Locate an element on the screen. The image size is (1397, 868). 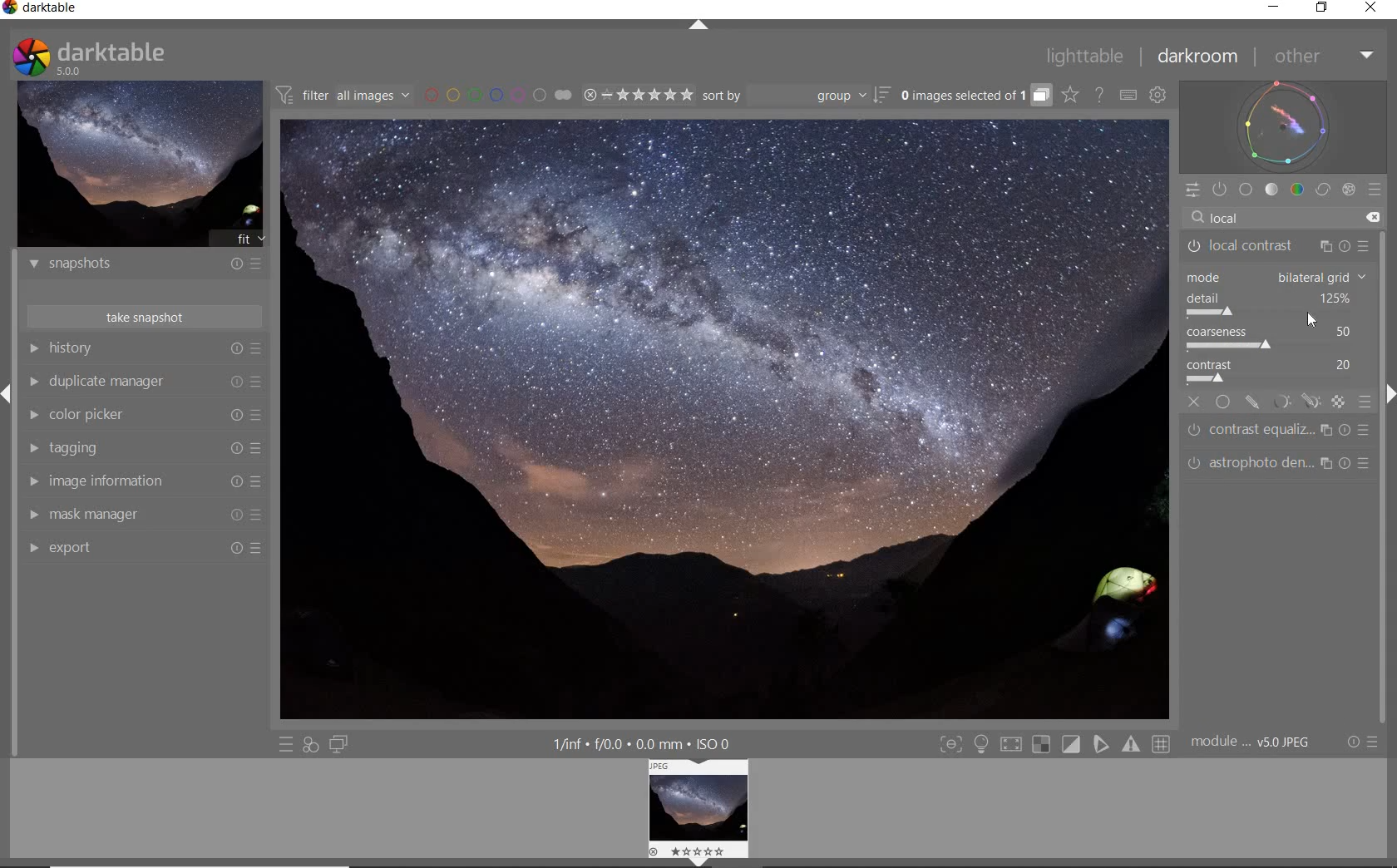
cursor is located at coordinates (1316, 321).